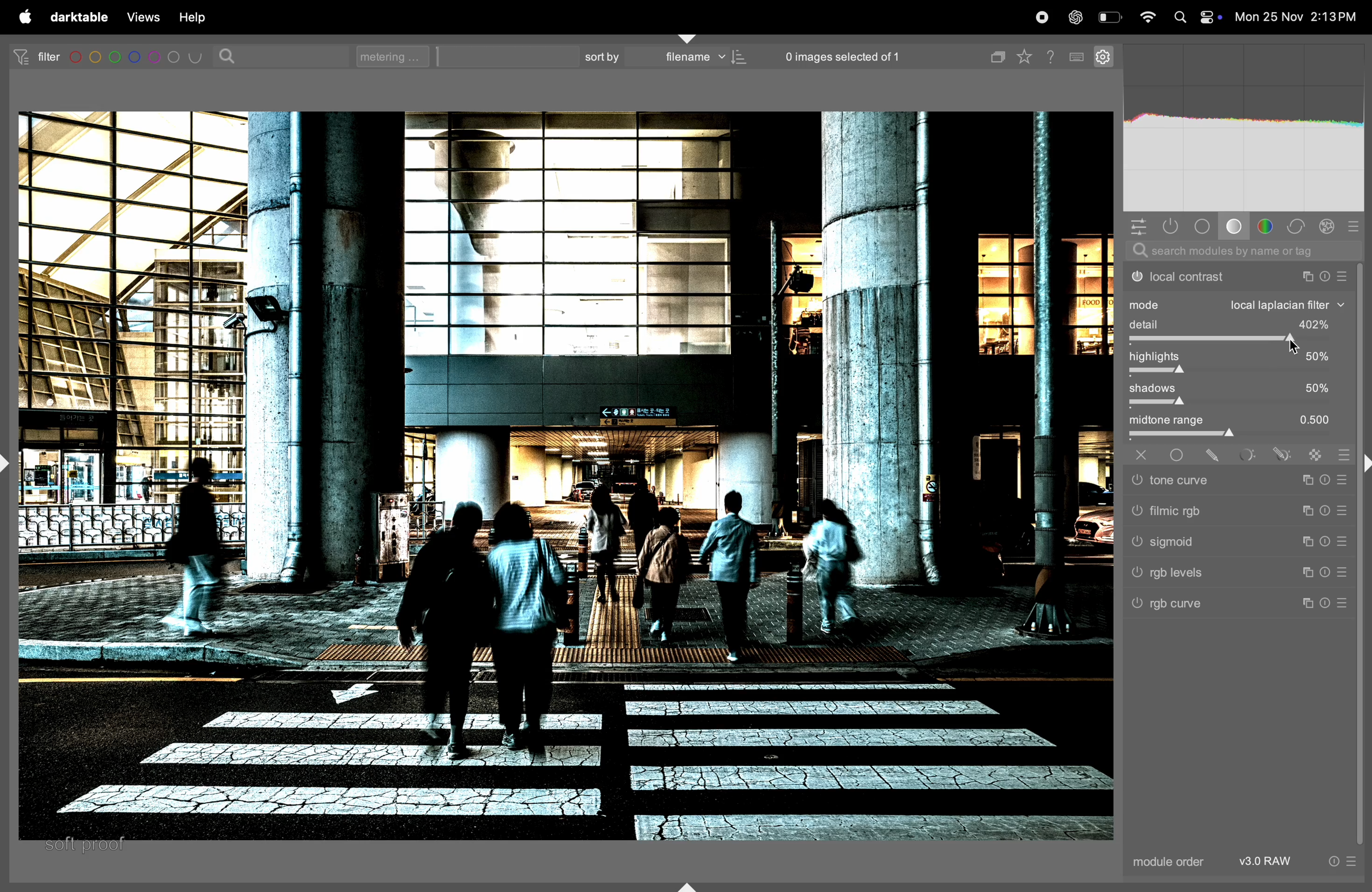 The height and width of the screenshot is (892, 1372). What do you see at coordinates (688, 37) in the screenshot?
I see `shift+ctrl+t` at bounding box center [688, 37].